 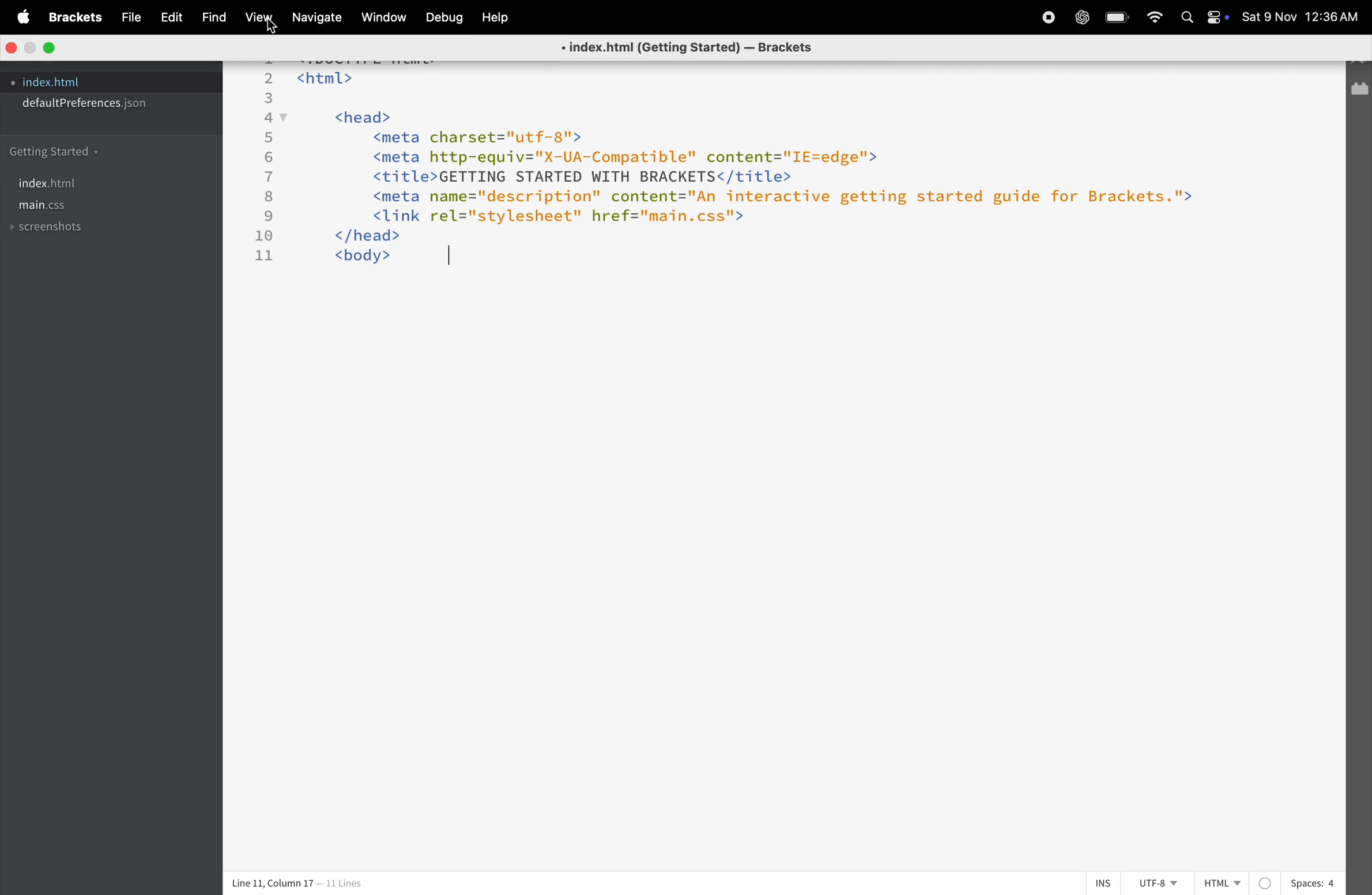 I want to click on code block, so click(x=743, y=163).